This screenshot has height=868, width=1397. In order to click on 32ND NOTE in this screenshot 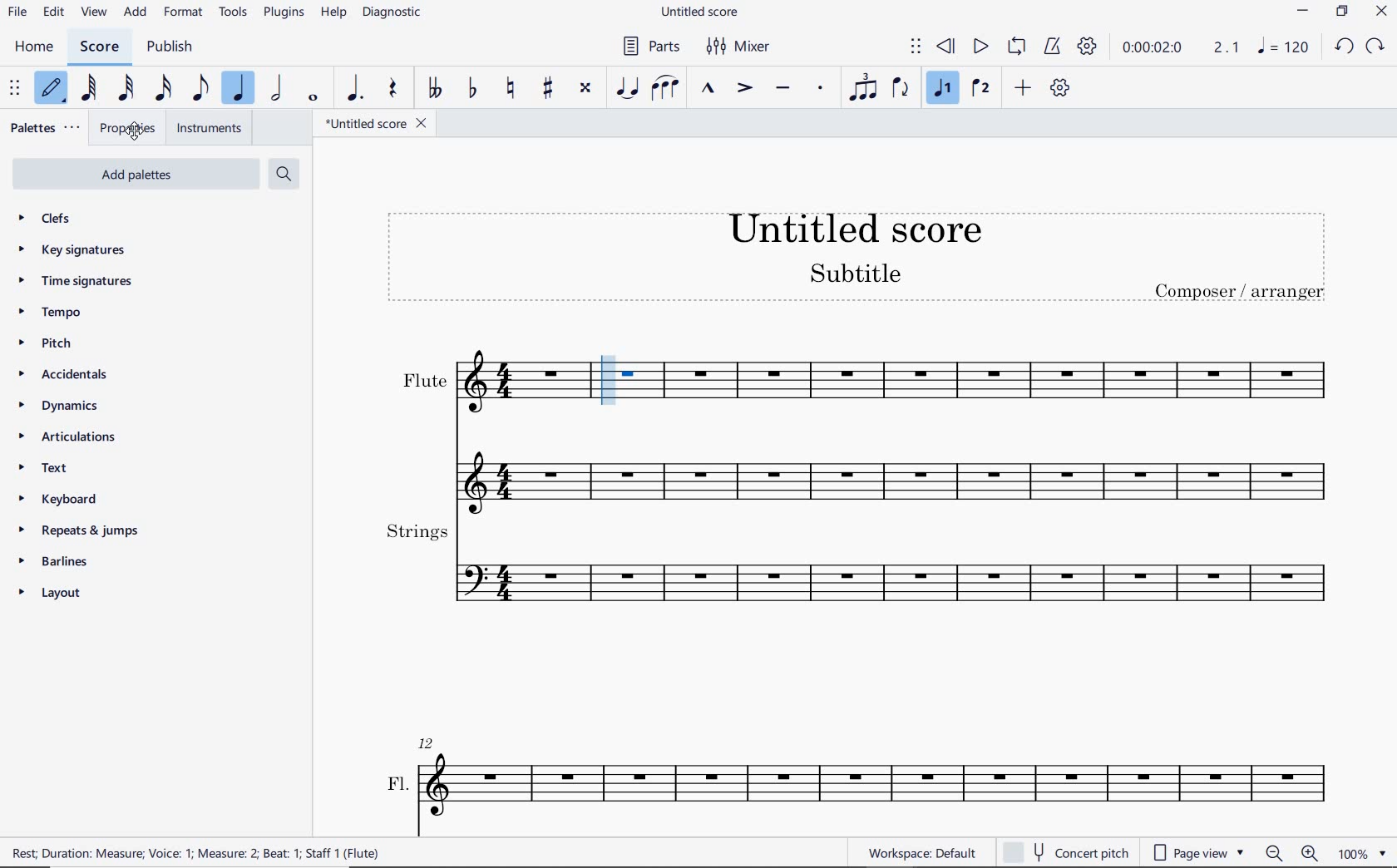, I will do `click(125, 89)`.